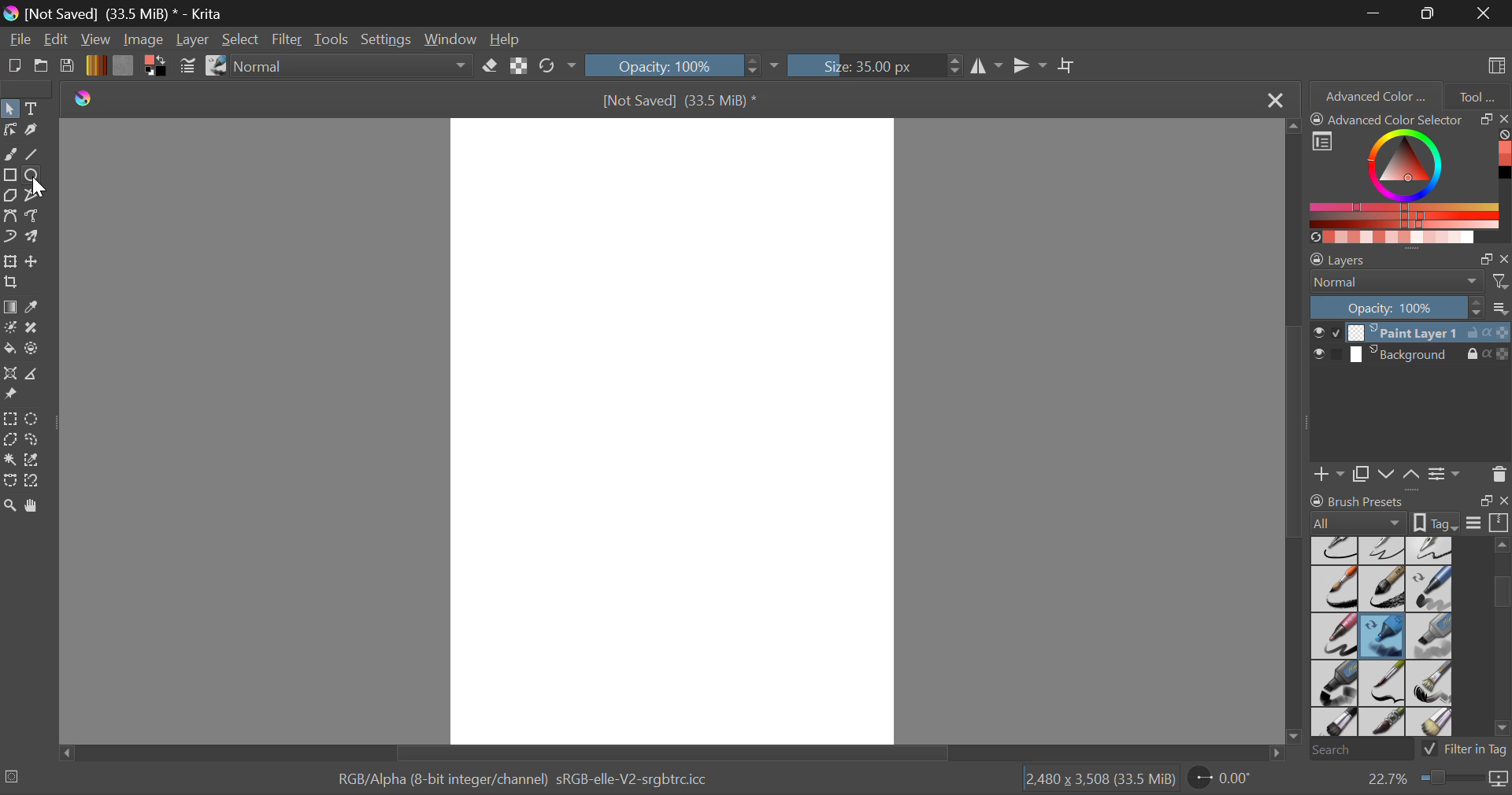 The width and height of the screenshot is (1512, 795). What do you see at coordinates (9, 460) in the screenshot?
I see `Continuous Selection` at bounding box center [9, 460].